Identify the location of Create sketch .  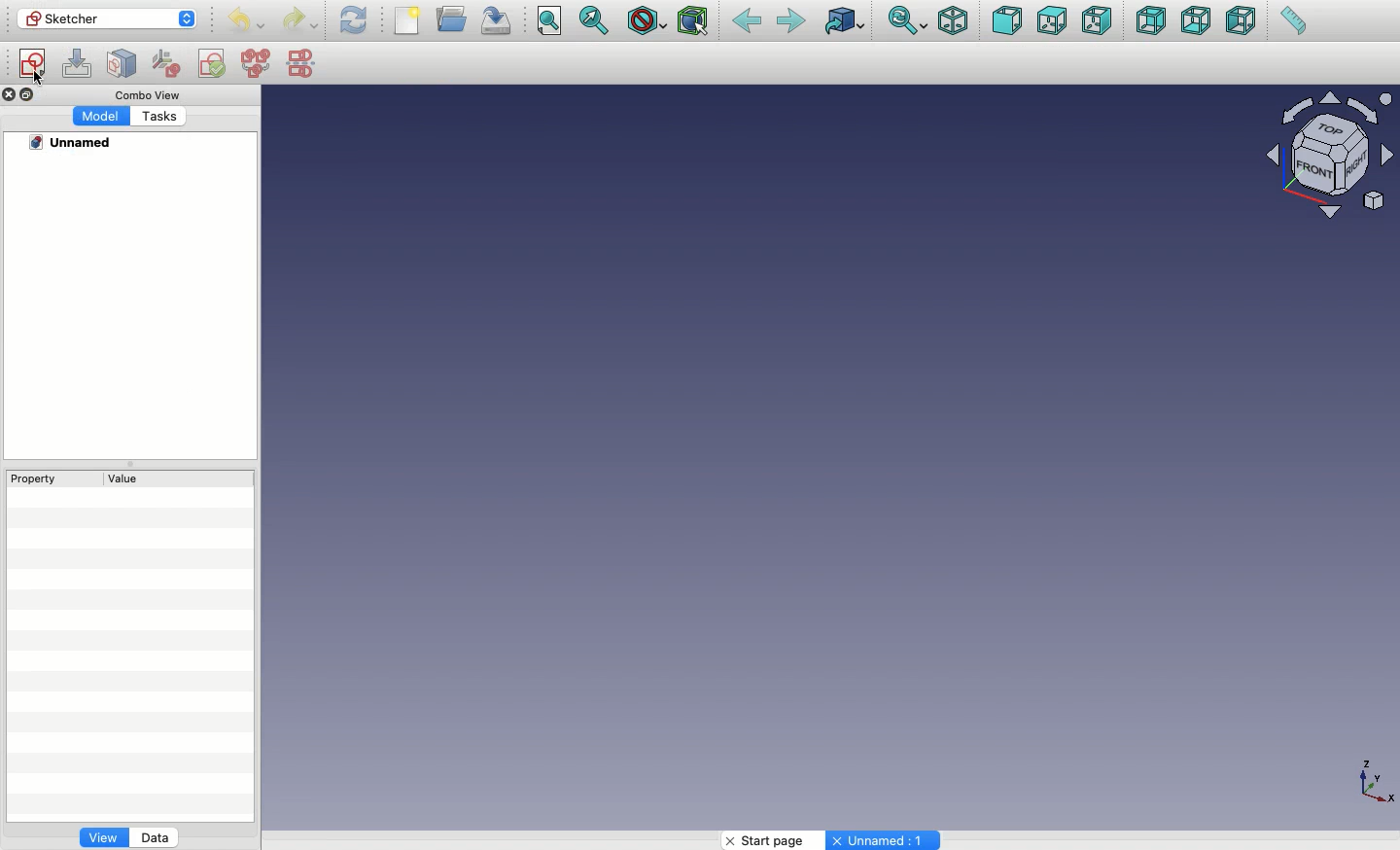
(33, 64).